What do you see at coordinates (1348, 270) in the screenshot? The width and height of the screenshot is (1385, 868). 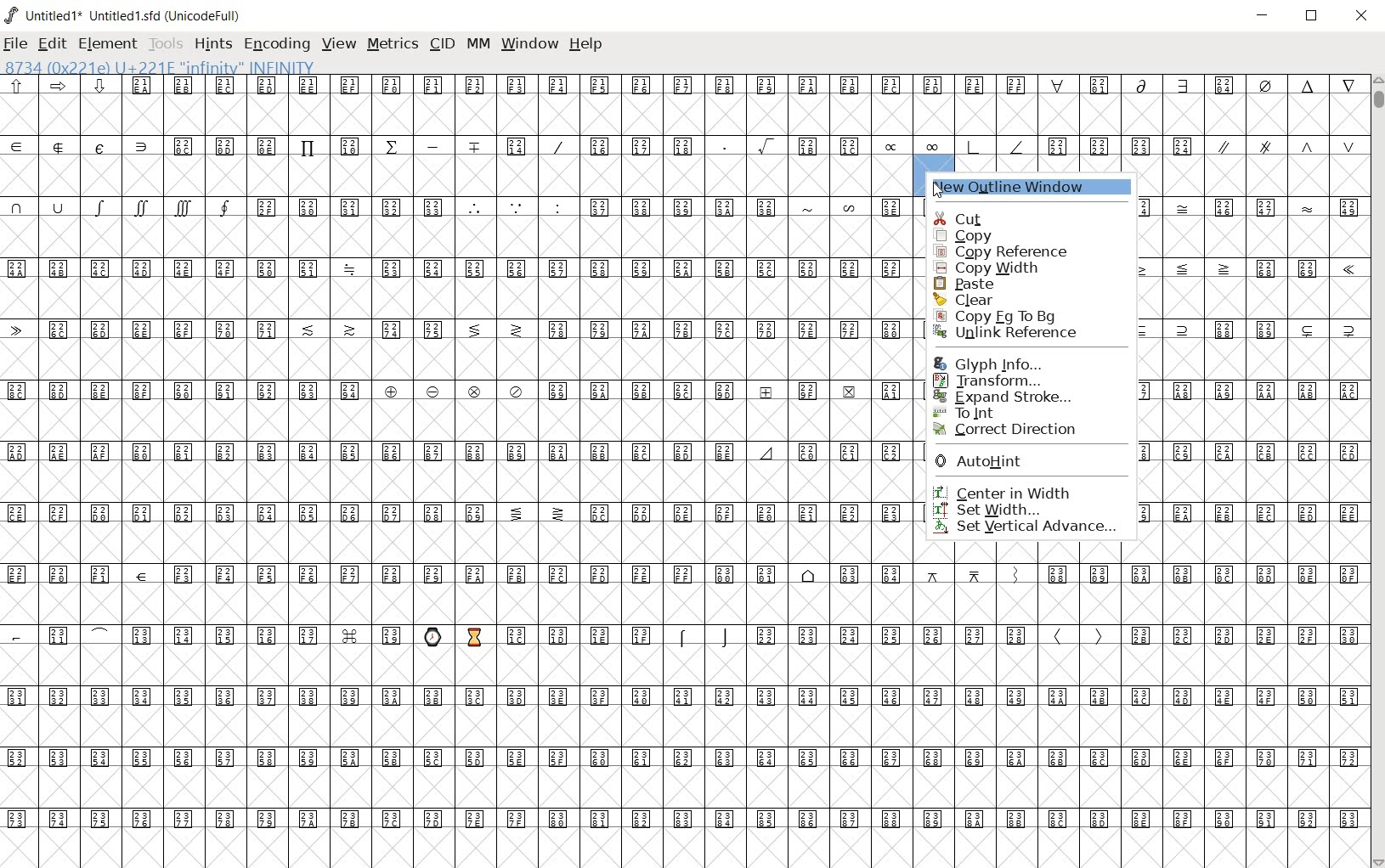 I see `symbol` at bounding box center [1348, 270].